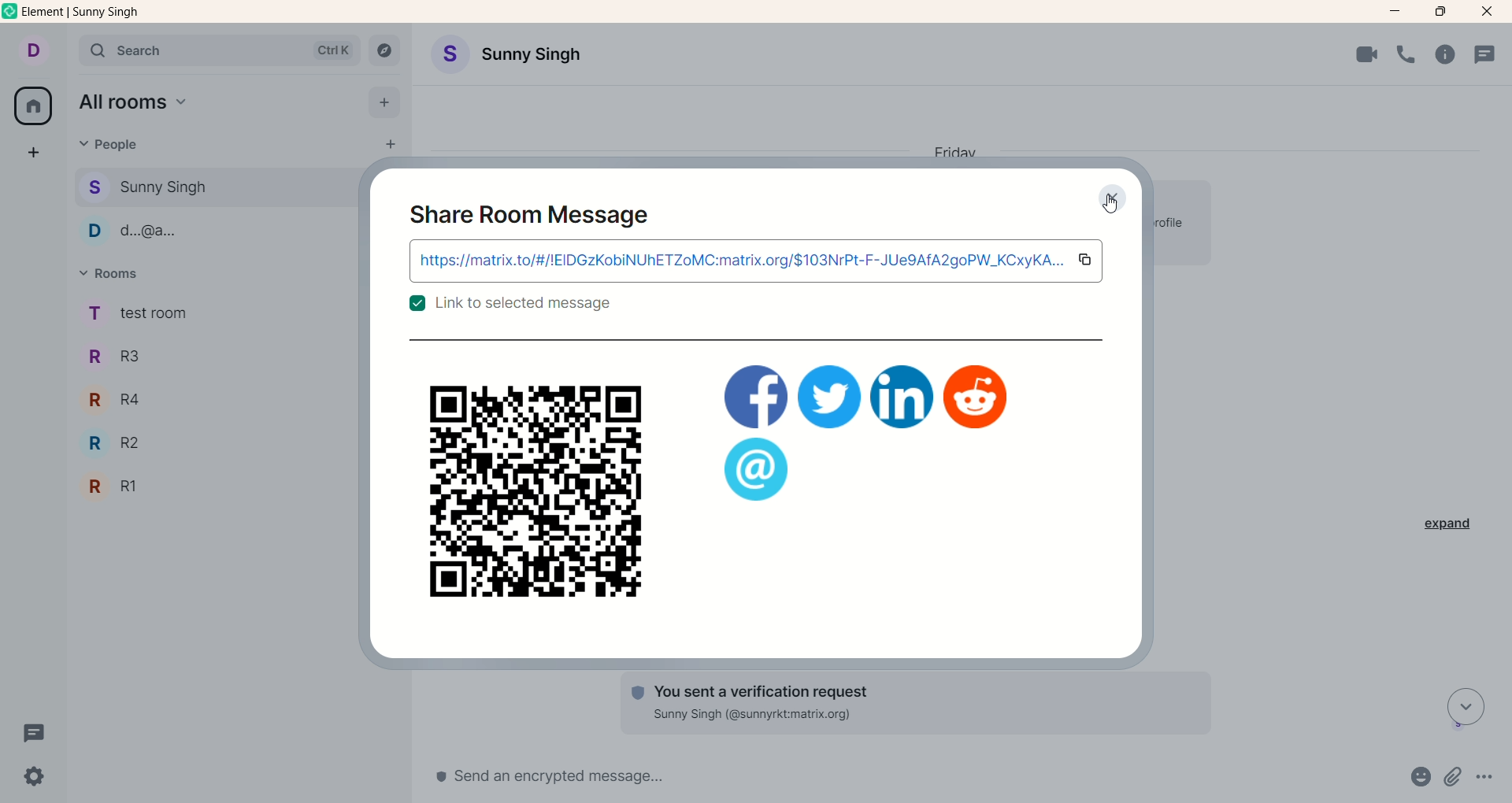  What do you see at coordinates (505, 56) in the screenshot?
I see `Account` at bounding box center [505, 56].